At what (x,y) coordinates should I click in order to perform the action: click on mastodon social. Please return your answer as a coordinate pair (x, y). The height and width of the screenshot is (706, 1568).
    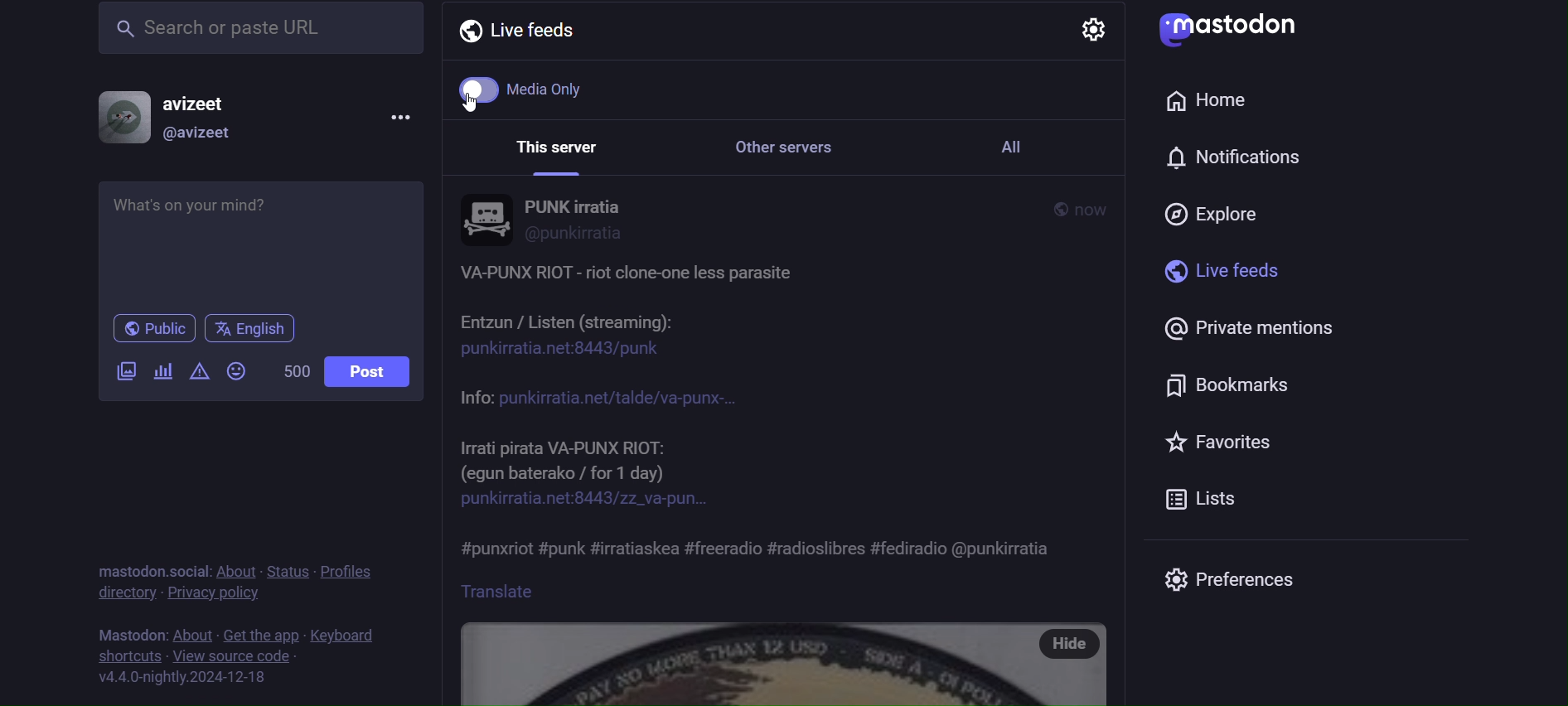
    Looking at the image, I should click on (145, 563).